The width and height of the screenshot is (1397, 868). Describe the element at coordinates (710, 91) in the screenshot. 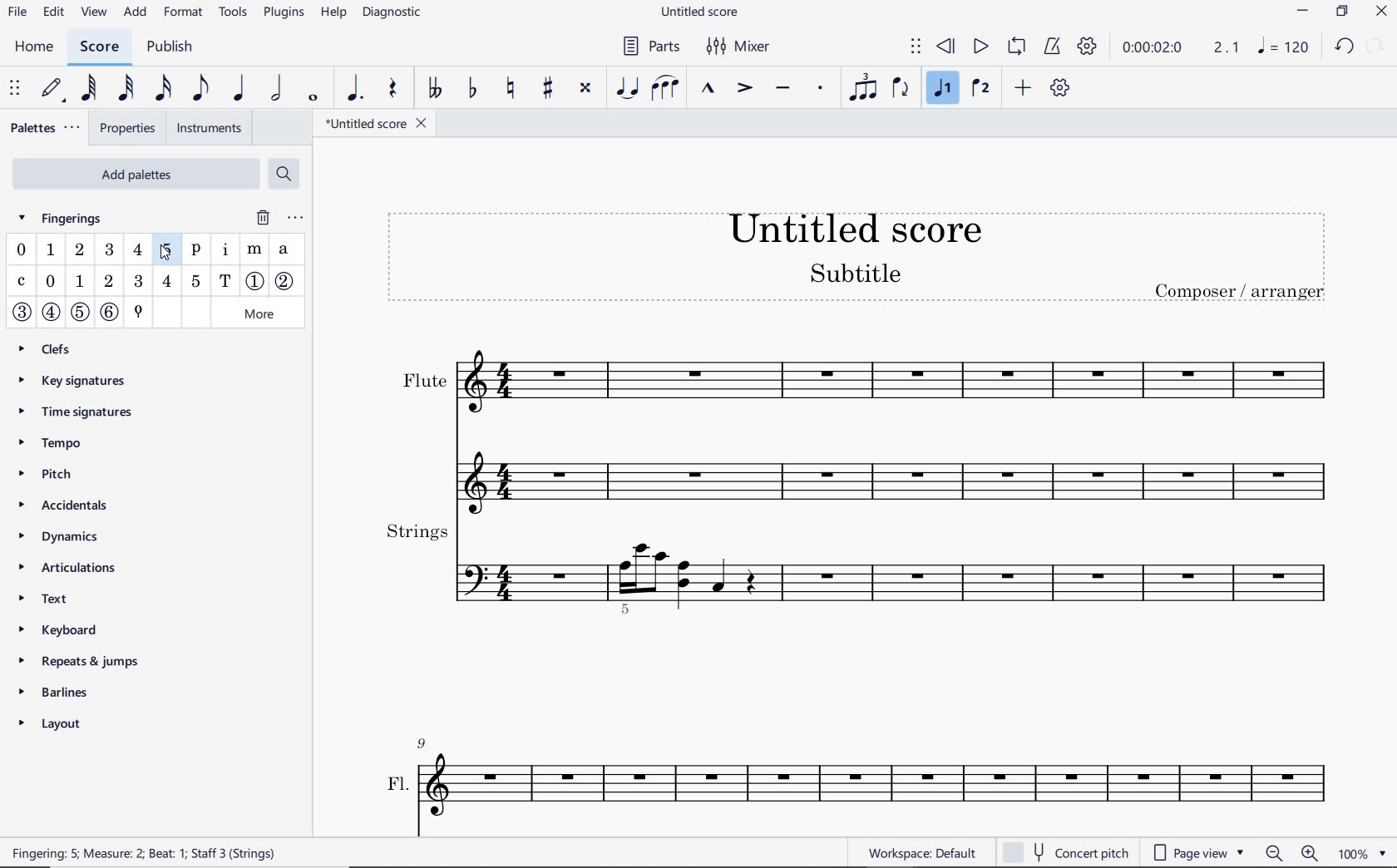

I see `marcato` at that location.